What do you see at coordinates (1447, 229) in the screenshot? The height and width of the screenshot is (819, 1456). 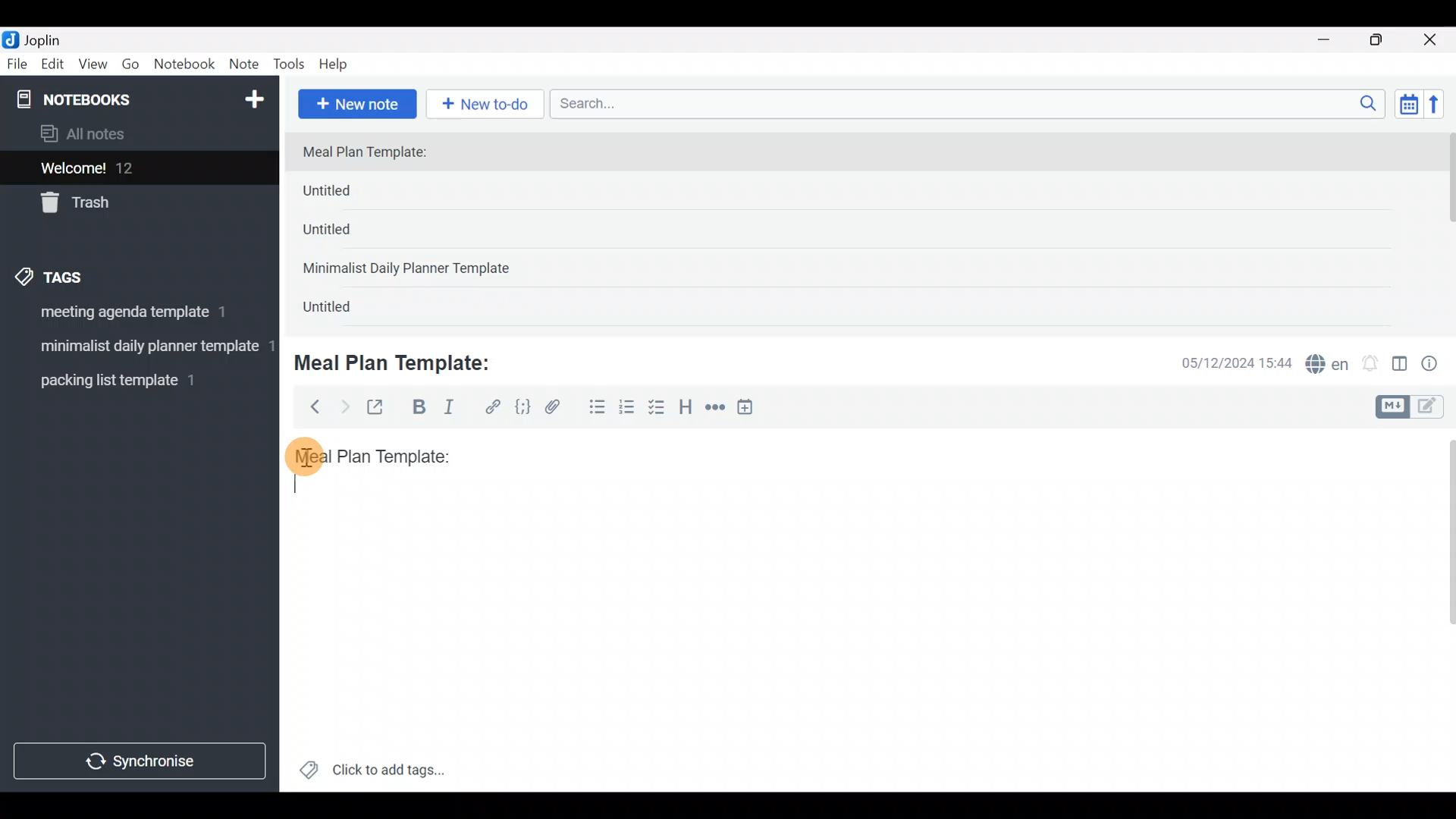 I see `Scroll bar` at bounding box center [1447, 229].